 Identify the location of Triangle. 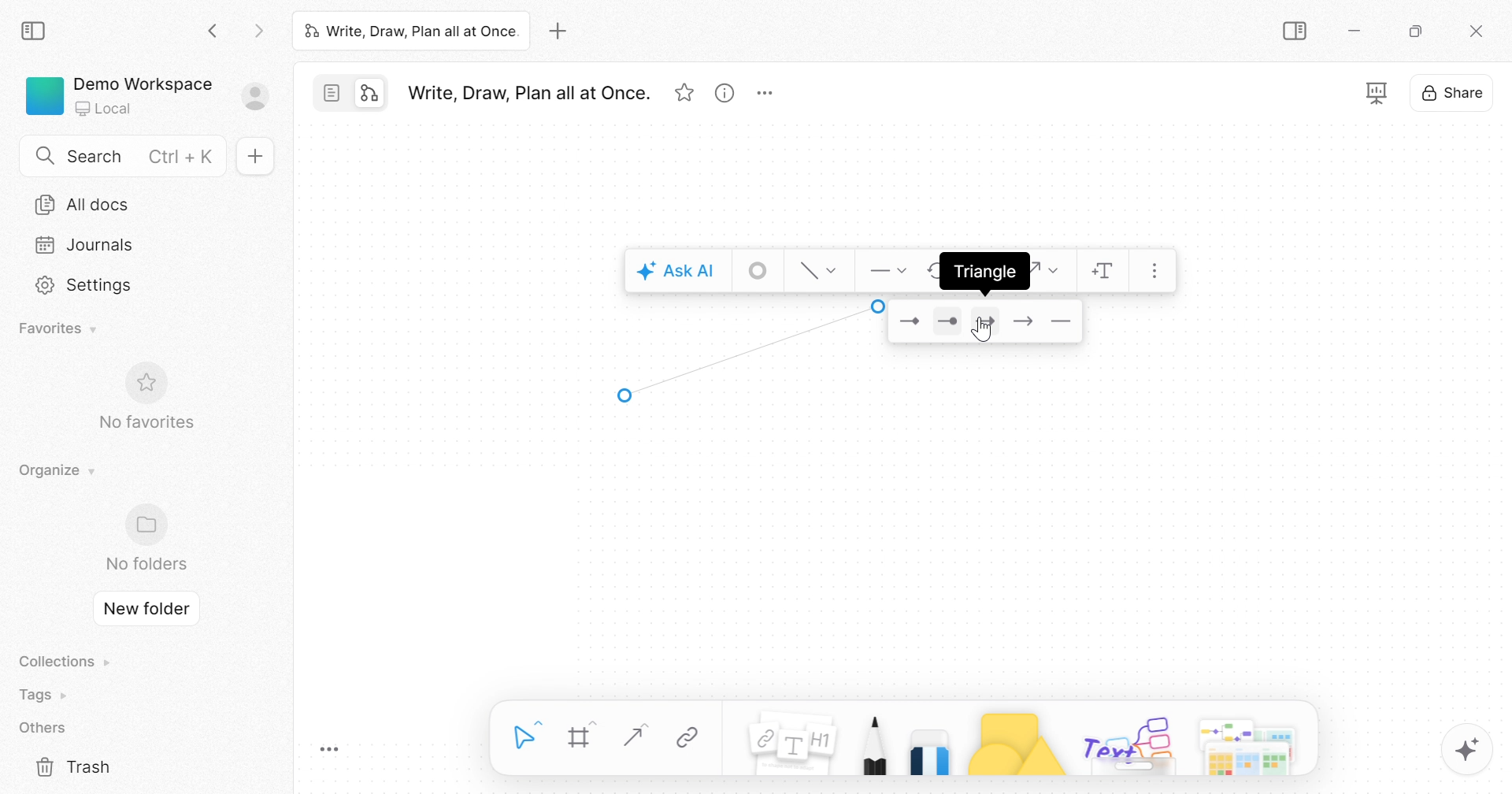
(984, 273).